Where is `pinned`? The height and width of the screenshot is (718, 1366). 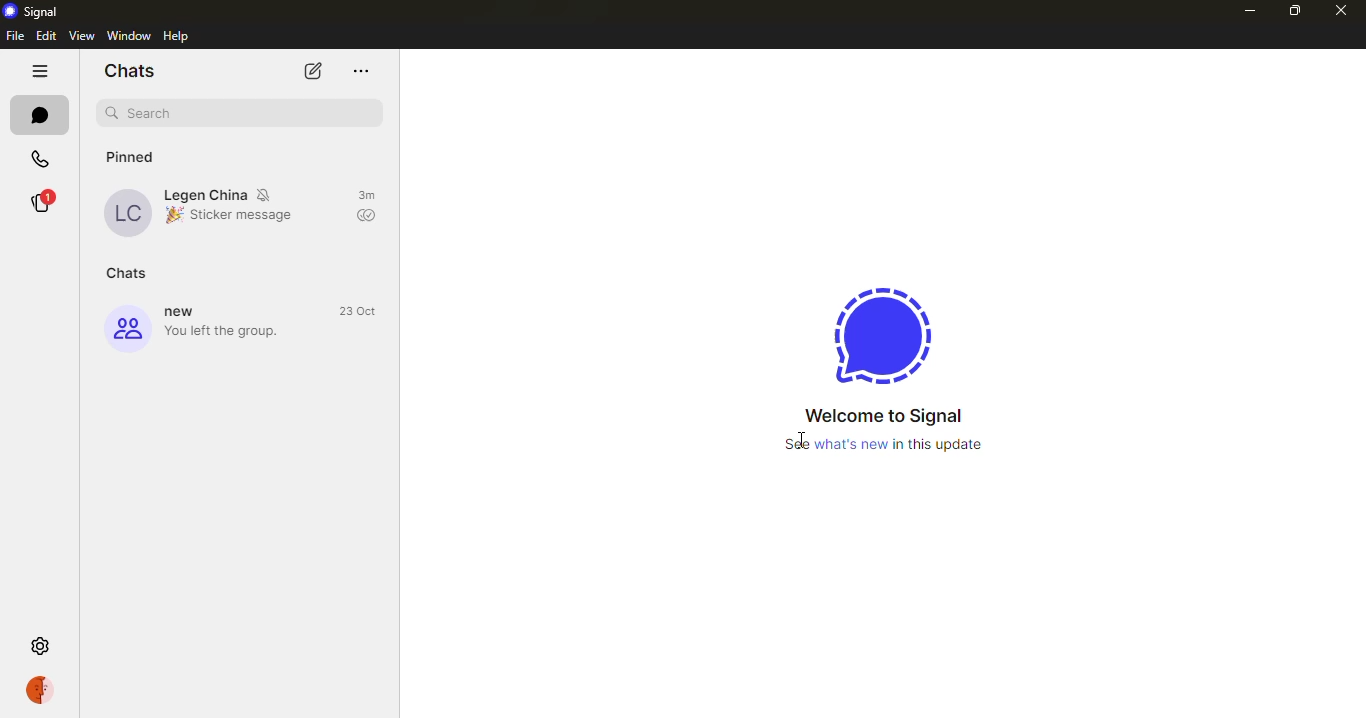
pinned is located at coordinates (138, 155).